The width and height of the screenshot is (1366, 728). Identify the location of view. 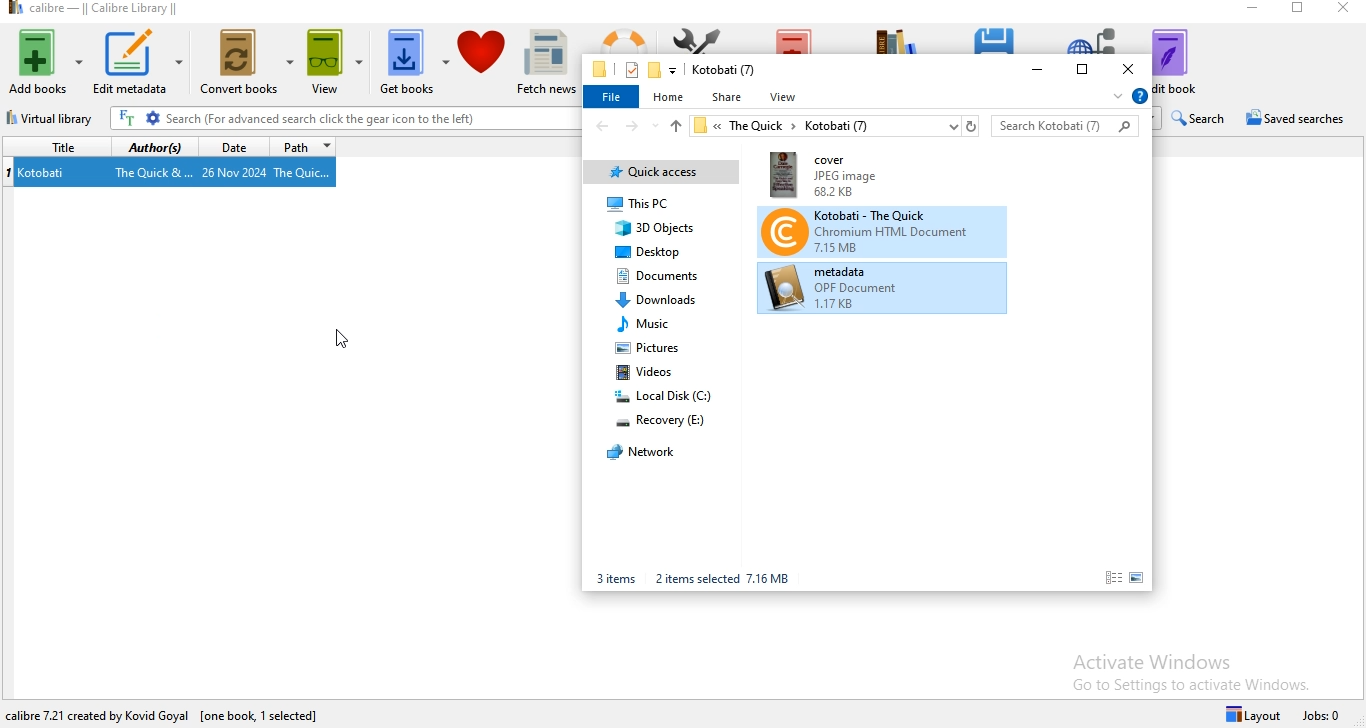
(786, 97).